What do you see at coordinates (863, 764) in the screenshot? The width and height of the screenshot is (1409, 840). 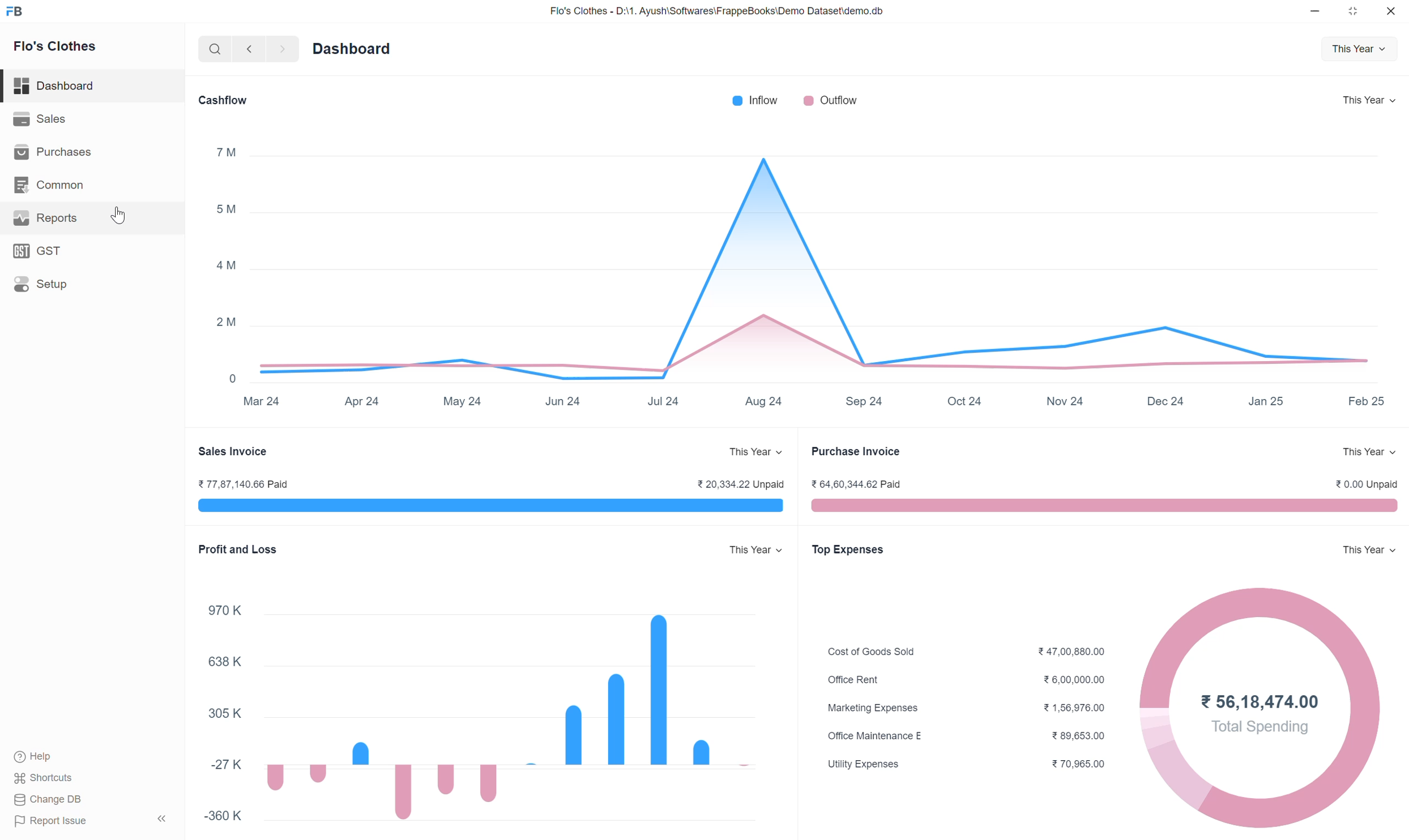 I see `utility expenses` at bounding box center [863, 764].